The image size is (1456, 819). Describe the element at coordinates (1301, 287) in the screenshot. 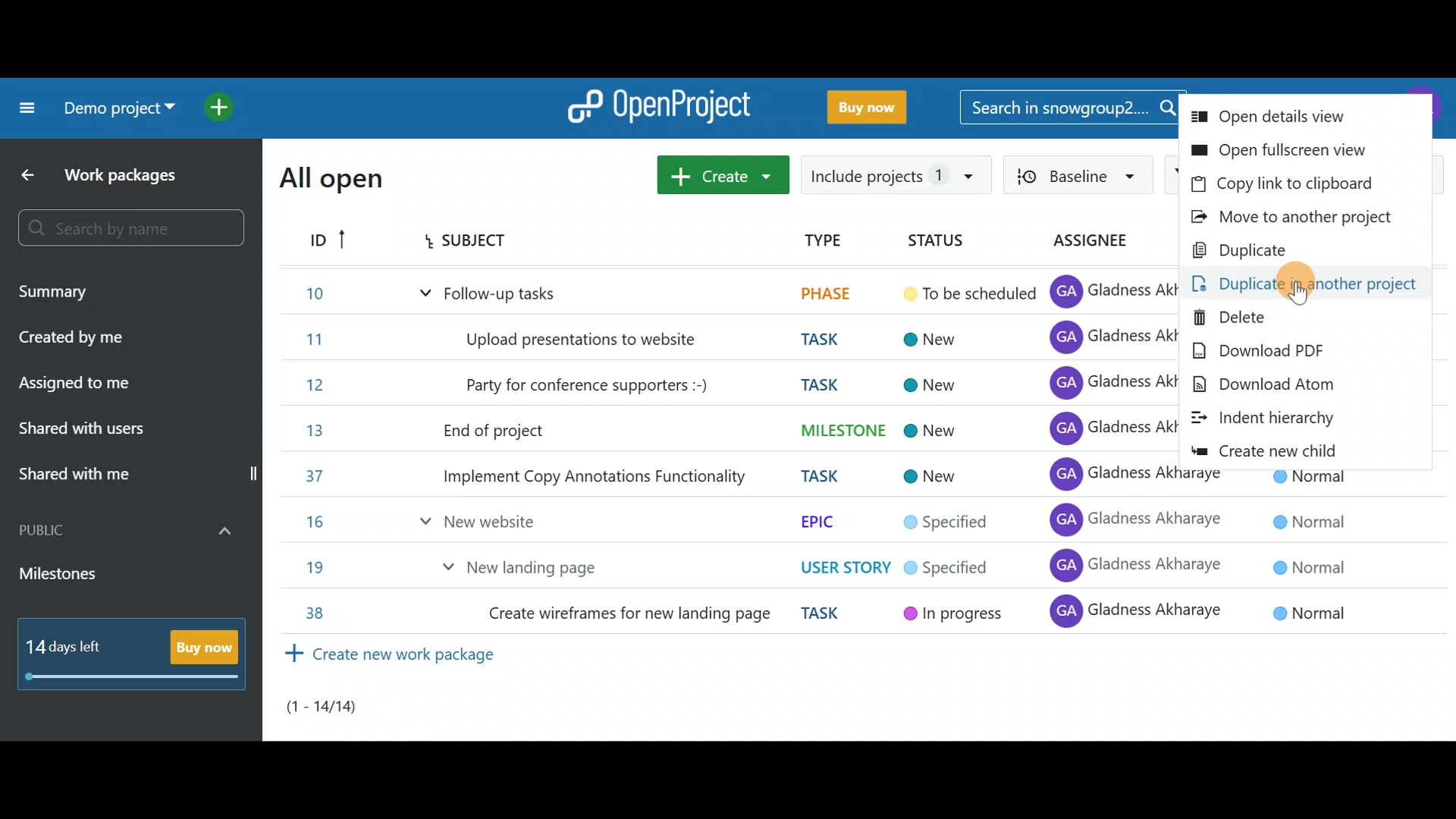

I see `Duplicate in another project` at that location.